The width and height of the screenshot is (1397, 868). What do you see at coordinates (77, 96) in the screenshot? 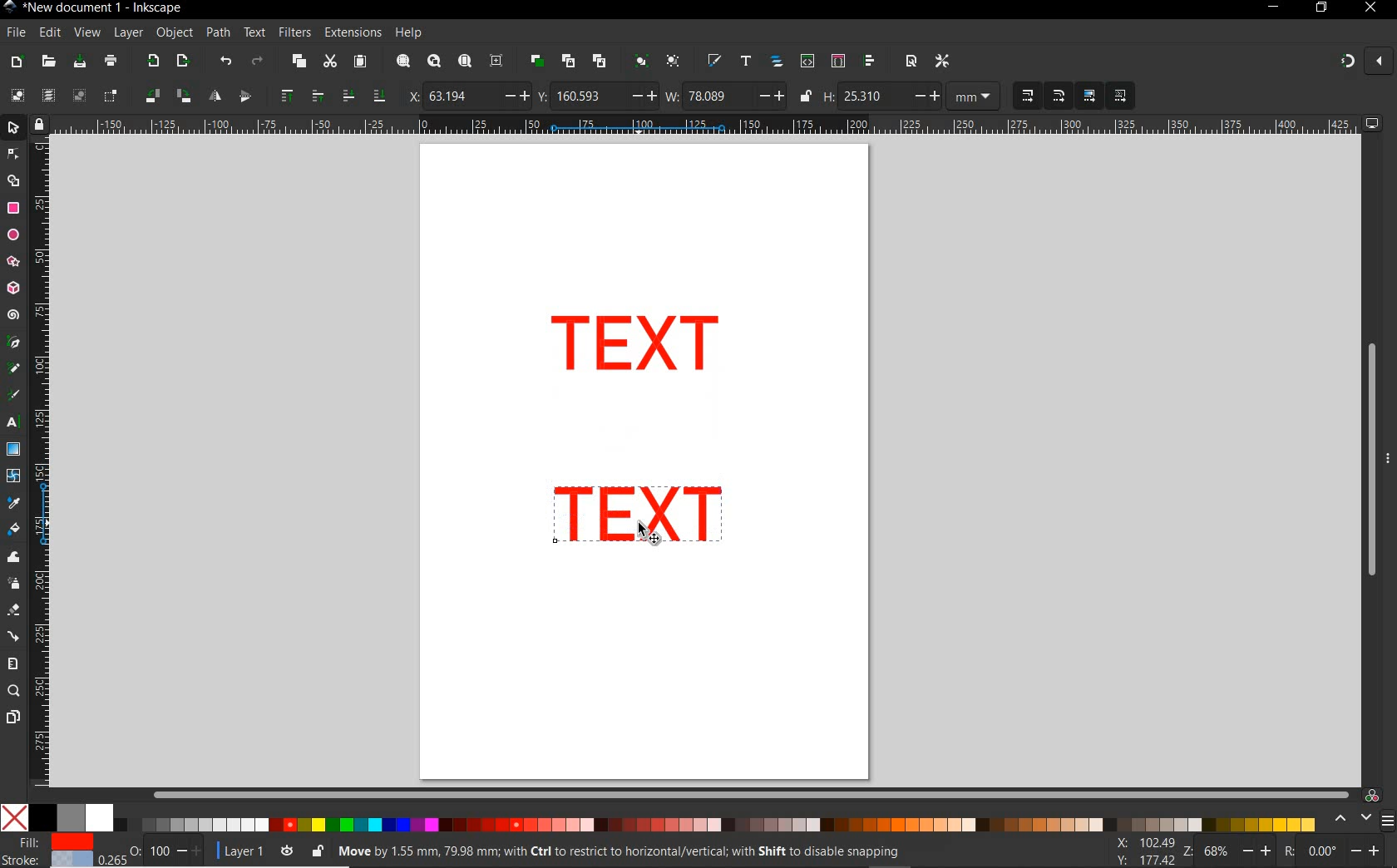
I see `deselect` at bounding box center [77, 96].